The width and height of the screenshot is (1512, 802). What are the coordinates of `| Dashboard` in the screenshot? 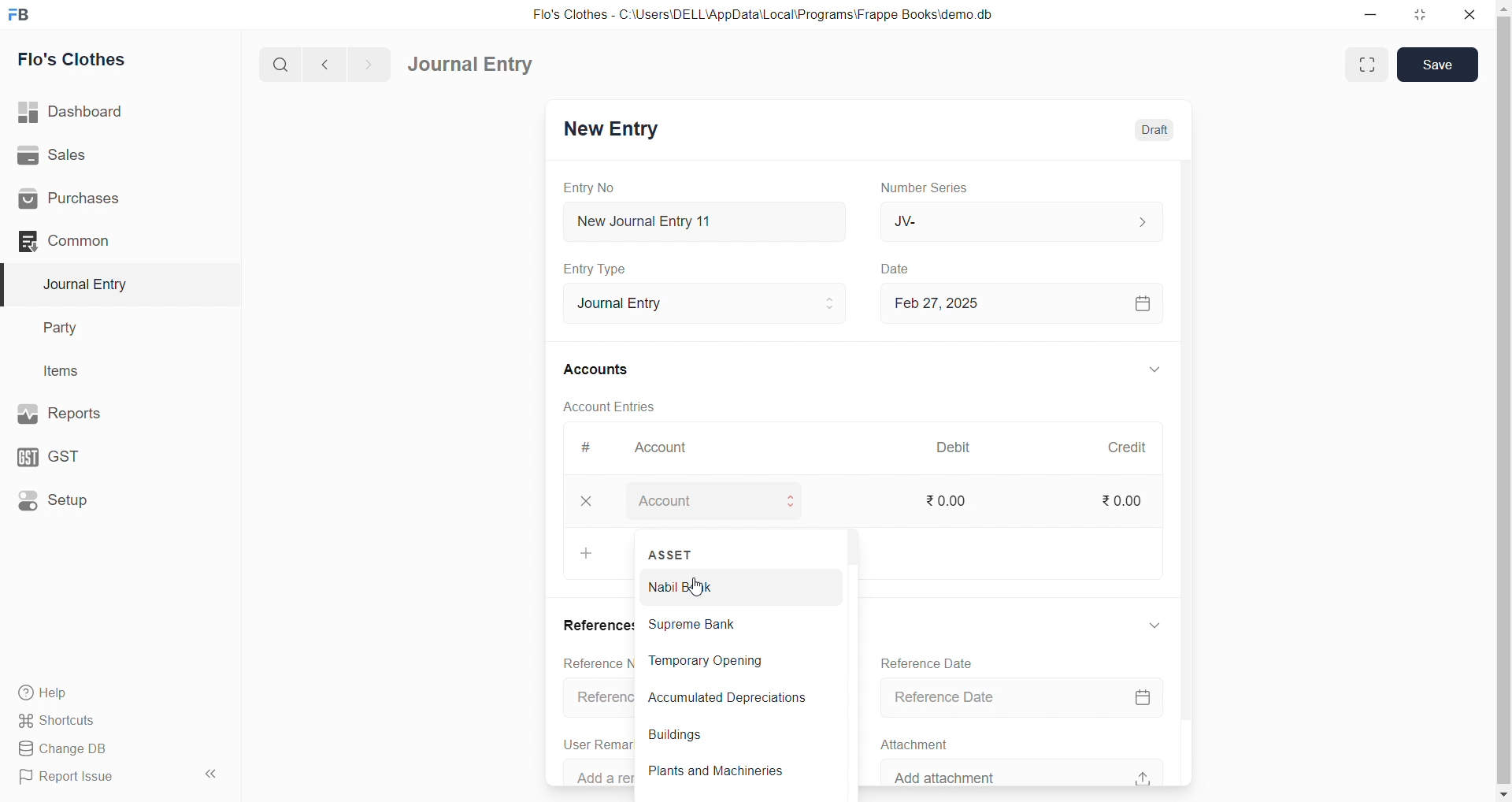 It's located at (86, 113).